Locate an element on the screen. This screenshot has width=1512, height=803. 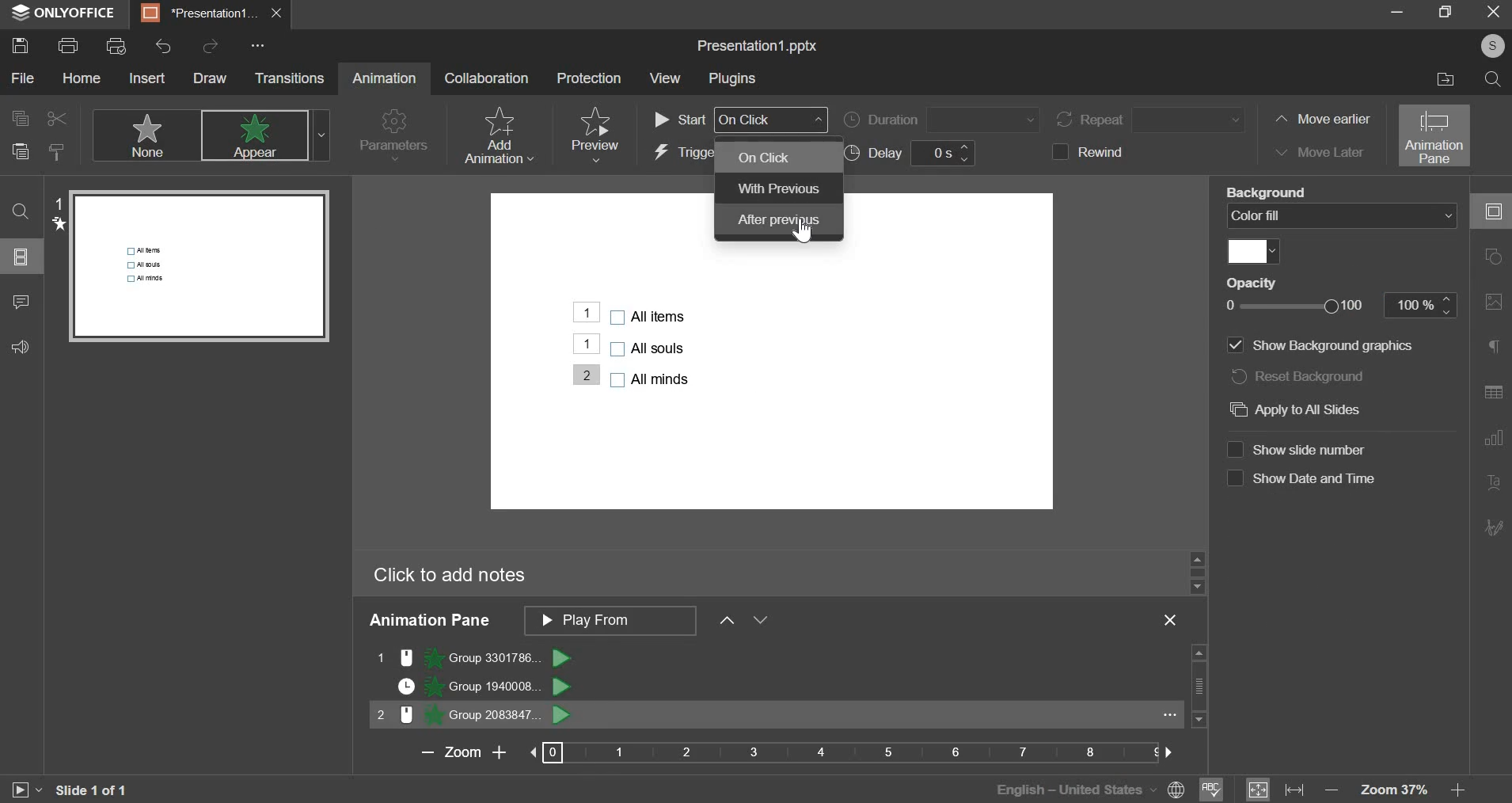
slide preview is located at coordinates (199, 265).